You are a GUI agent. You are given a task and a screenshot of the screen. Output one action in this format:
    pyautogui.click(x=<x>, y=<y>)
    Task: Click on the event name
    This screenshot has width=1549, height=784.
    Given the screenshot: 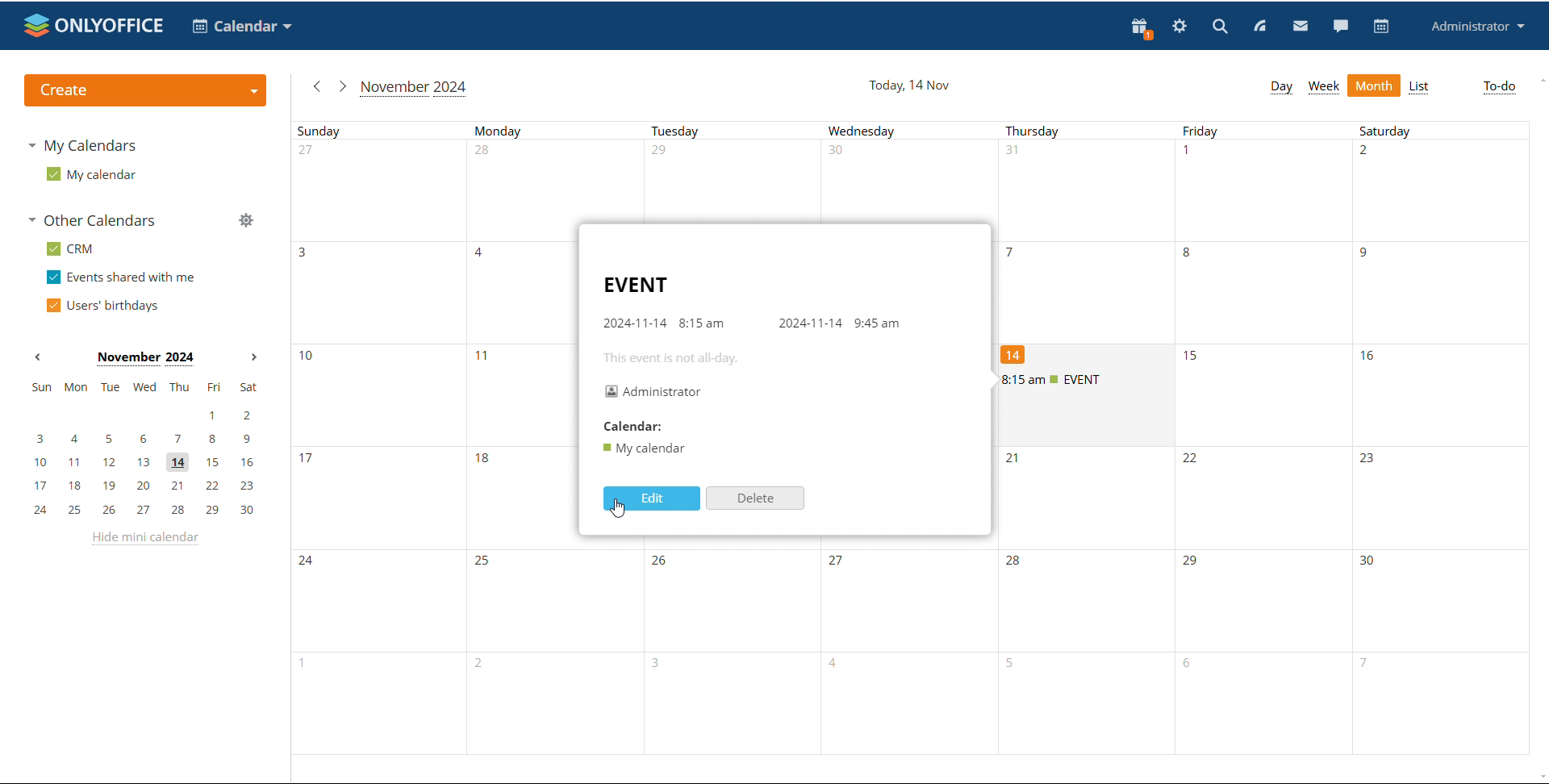 What is the action you would take?
    pyautogui.click(x=634, y=286)
    